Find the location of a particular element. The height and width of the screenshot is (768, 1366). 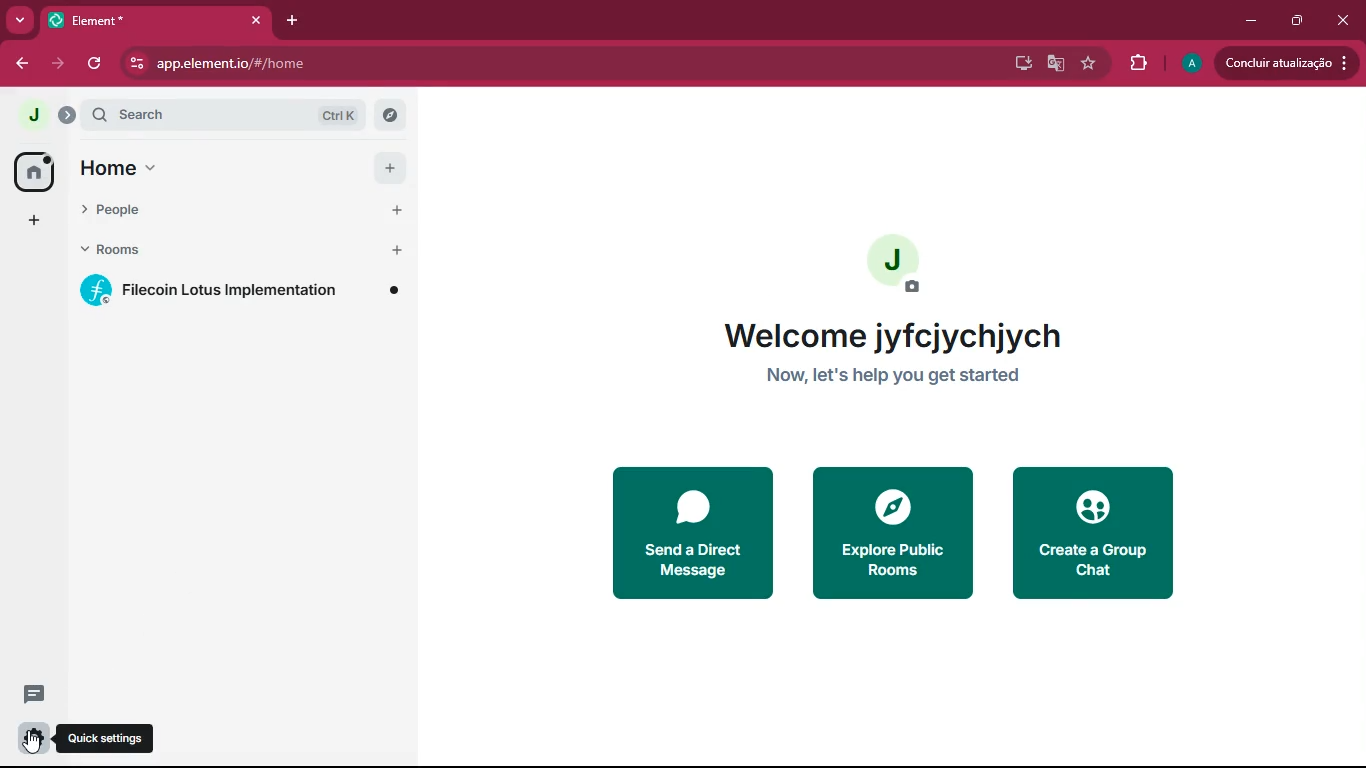

start chat is located at coordinates (397, 212).